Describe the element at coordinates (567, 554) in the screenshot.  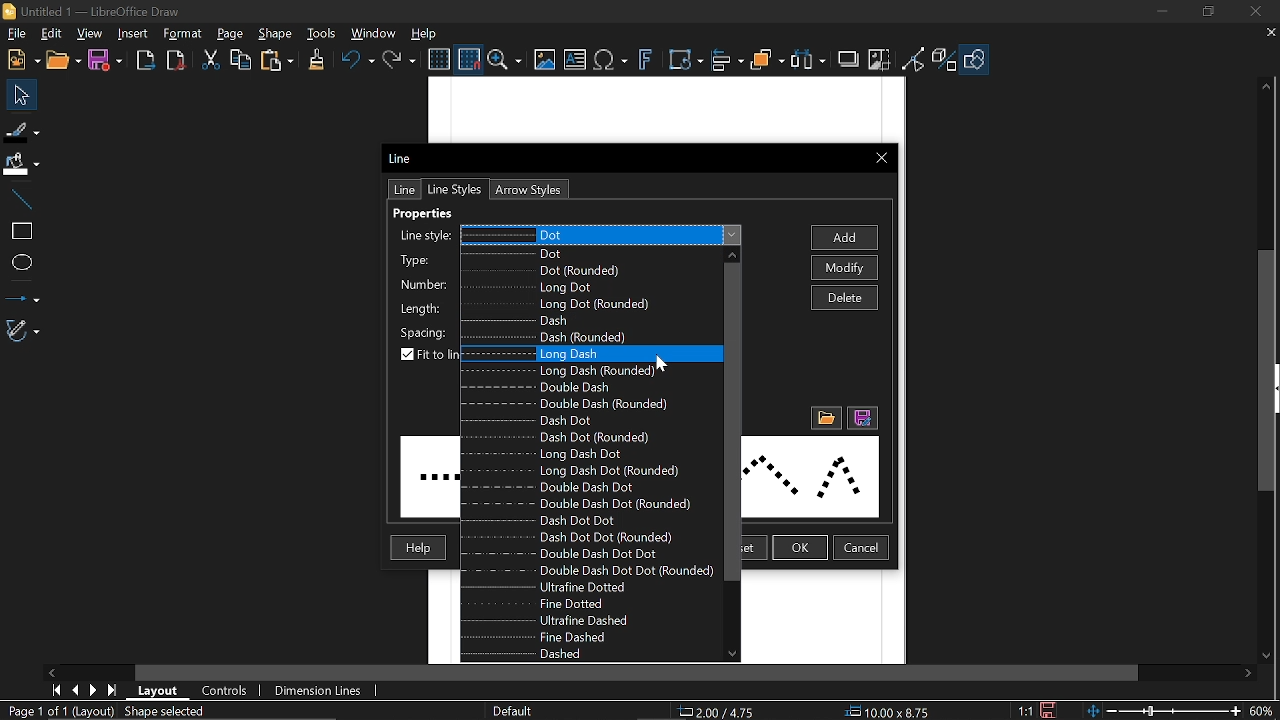
I see `Double dash dot dot` at that location.